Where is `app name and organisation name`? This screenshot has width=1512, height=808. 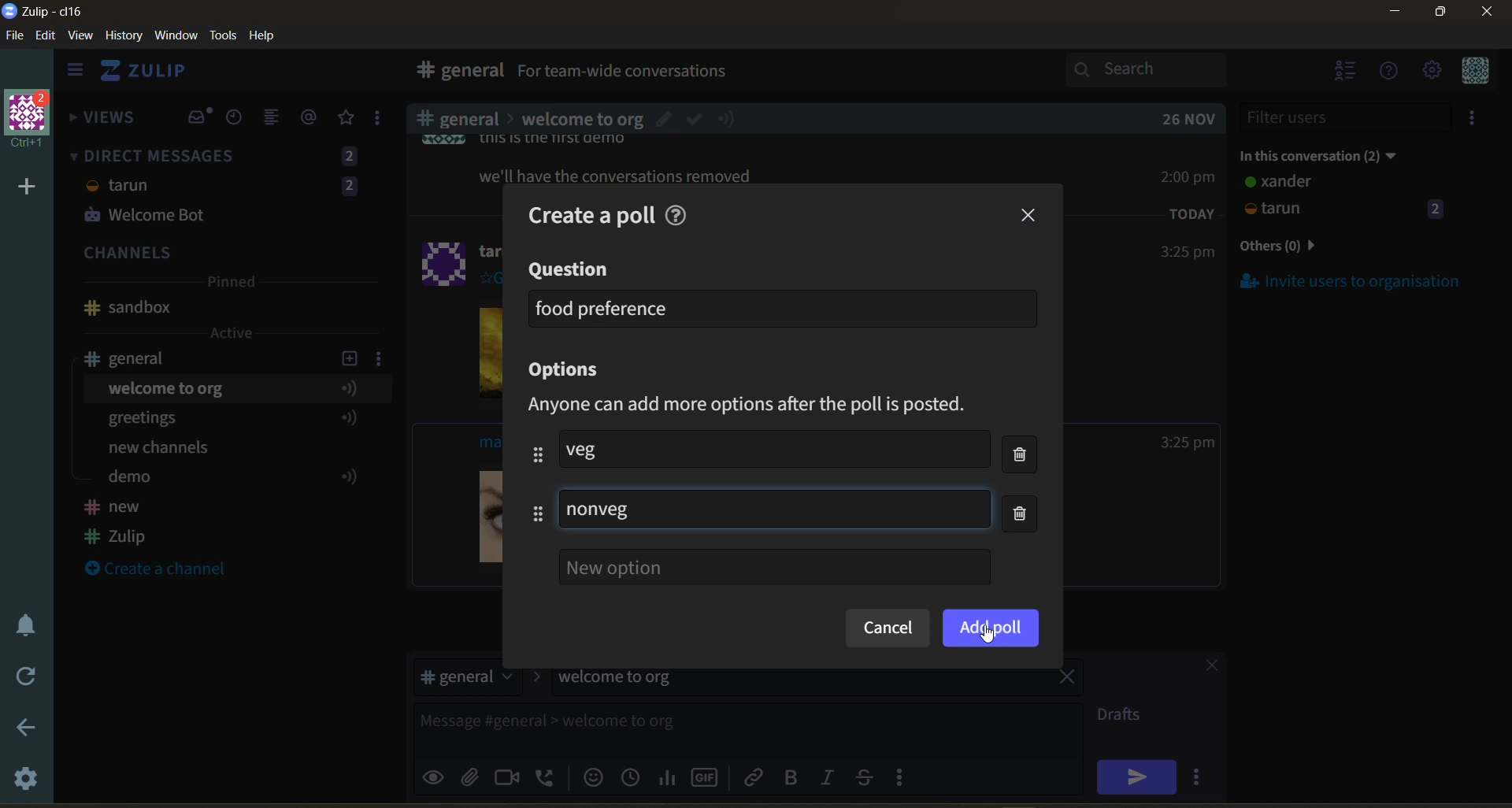
app name and organisation name is located at coordinates (43, 12).